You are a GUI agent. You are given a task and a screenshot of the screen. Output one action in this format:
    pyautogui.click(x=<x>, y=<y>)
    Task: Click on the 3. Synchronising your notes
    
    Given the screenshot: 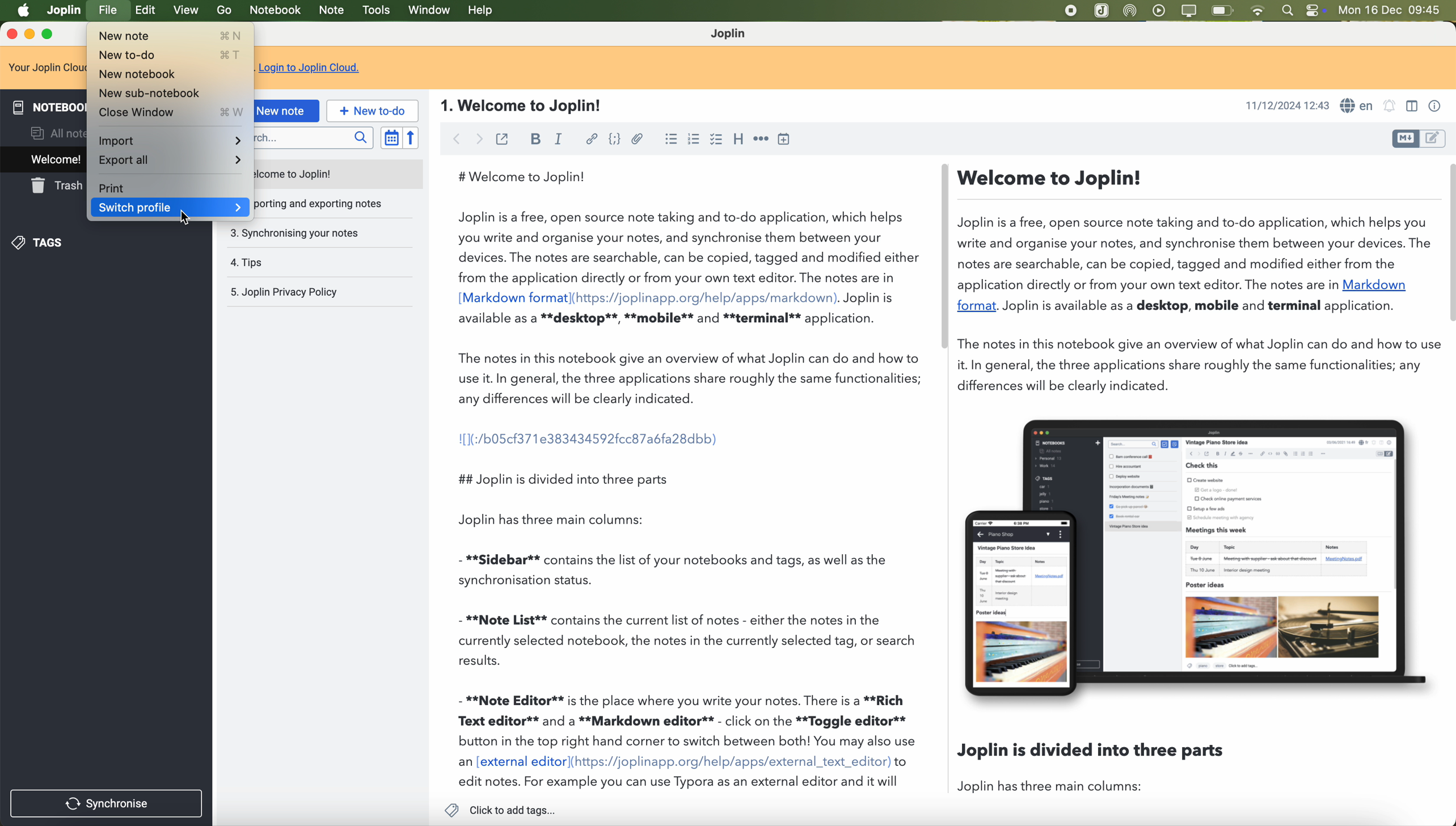 What is the action you would take?
    pyautogui.click(x=297, y=233)
    